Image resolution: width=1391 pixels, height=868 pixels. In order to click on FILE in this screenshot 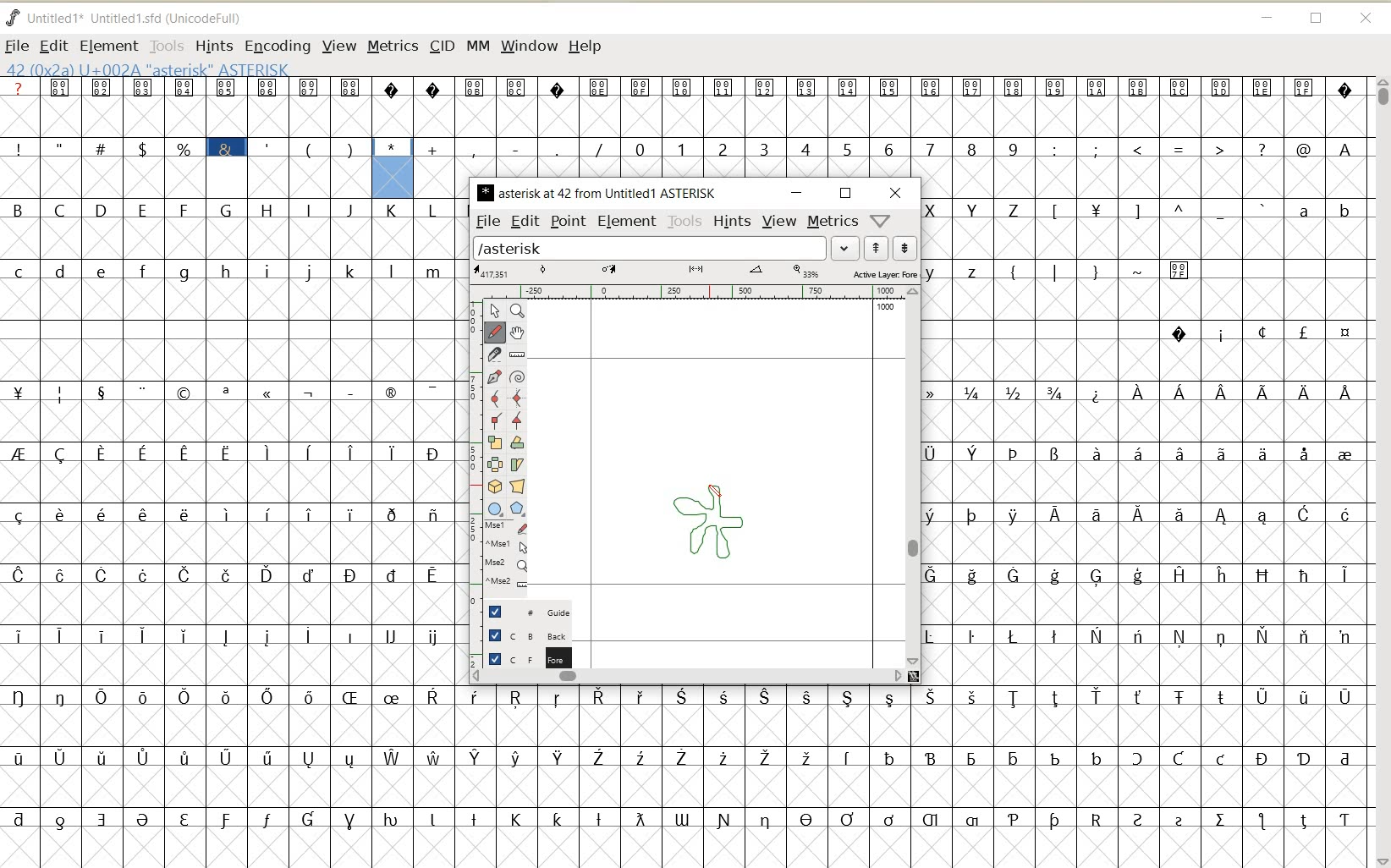, I will do `click(487, 222)`.